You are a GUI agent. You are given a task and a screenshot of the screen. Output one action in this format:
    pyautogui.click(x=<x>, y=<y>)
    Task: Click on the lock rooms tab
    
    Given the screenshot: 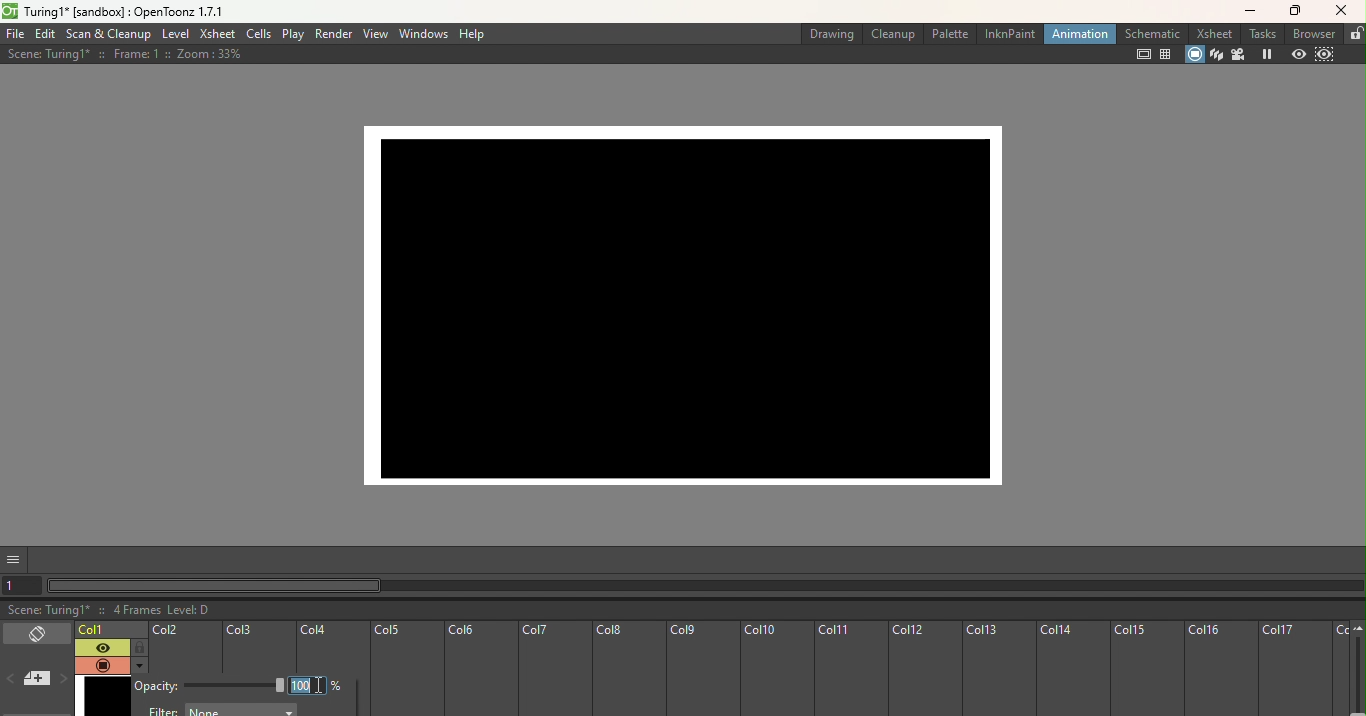 What is the action you would take?
    pyautogui.click(x=1354, y=32)
    